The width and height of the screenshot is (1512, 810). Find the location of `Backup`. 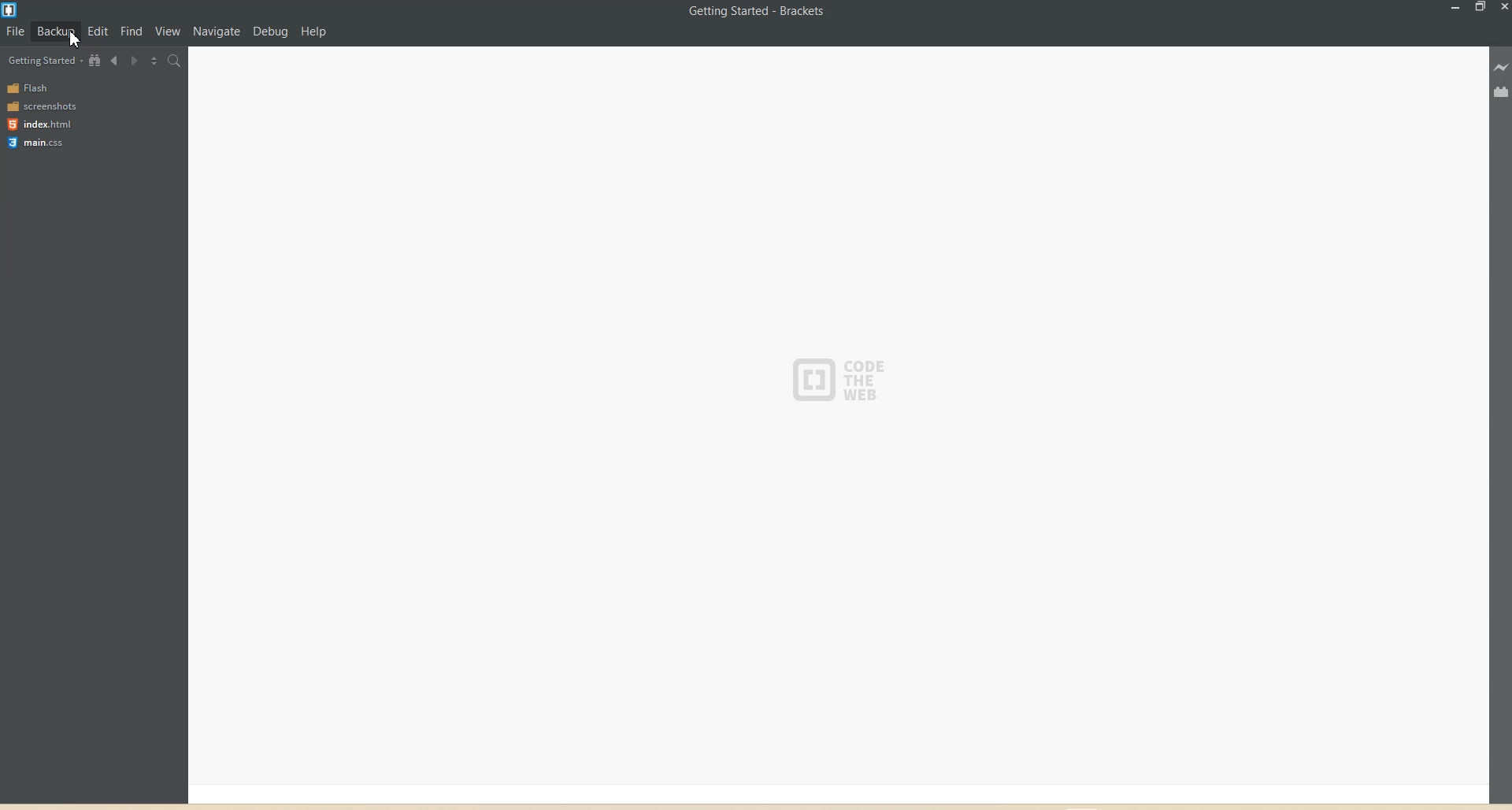

Backup is located at coordinates (54, 28).